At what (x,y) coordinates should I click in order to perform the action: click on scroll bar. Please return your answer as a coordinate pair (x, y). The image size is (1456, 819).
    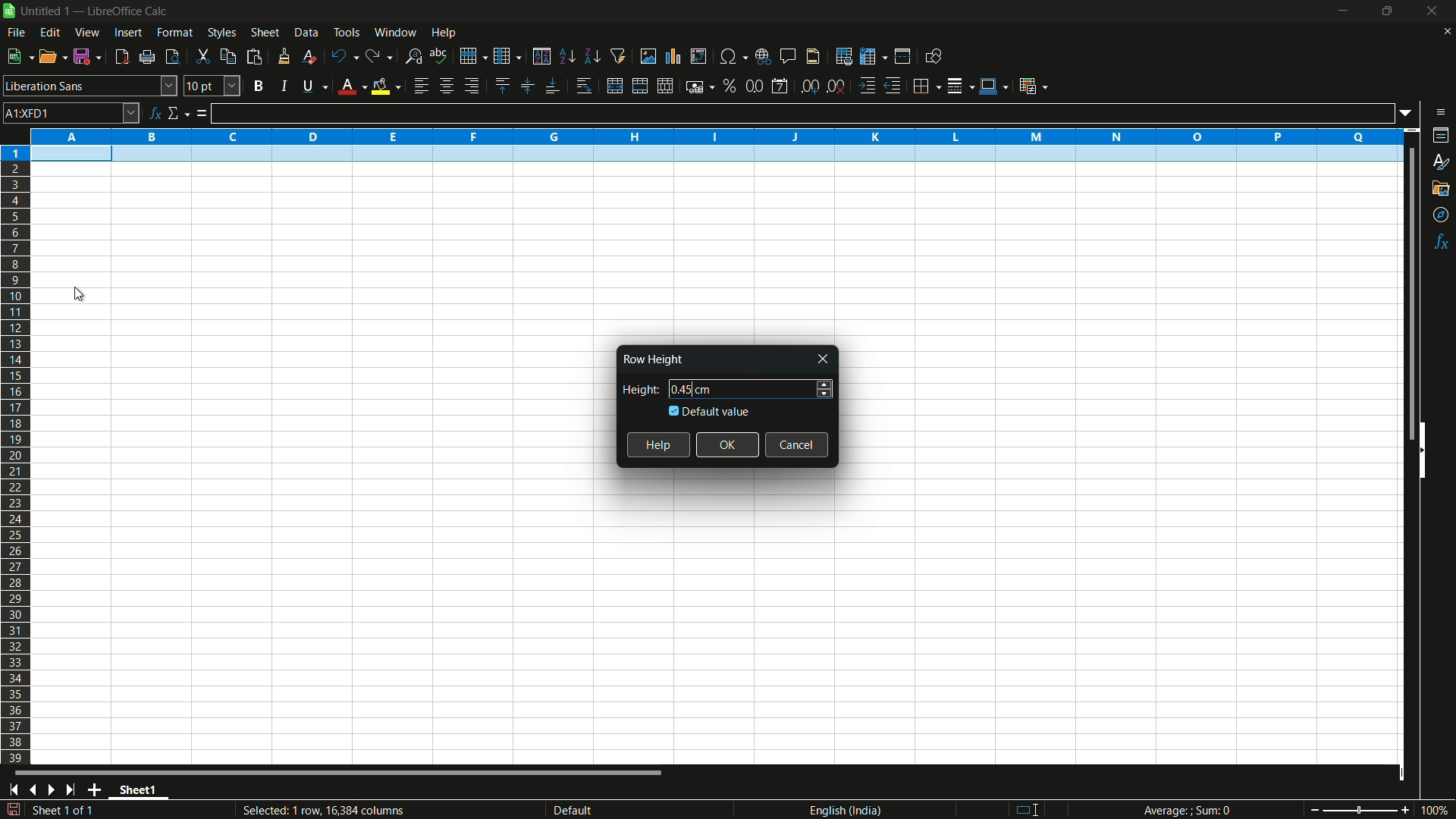
    Looking at the image, I should click on (1403, 294).